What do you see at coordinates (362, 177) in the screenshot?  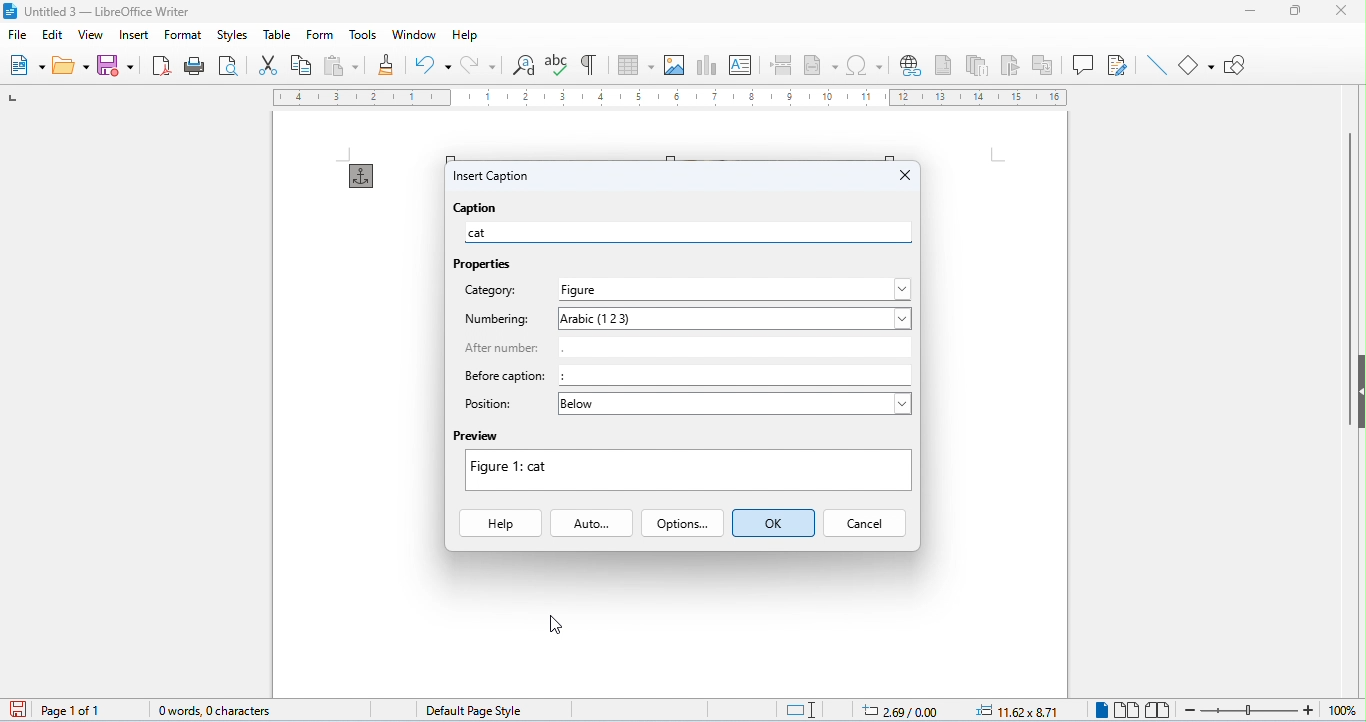 I see `anchor` at bounding box center [362, 177].